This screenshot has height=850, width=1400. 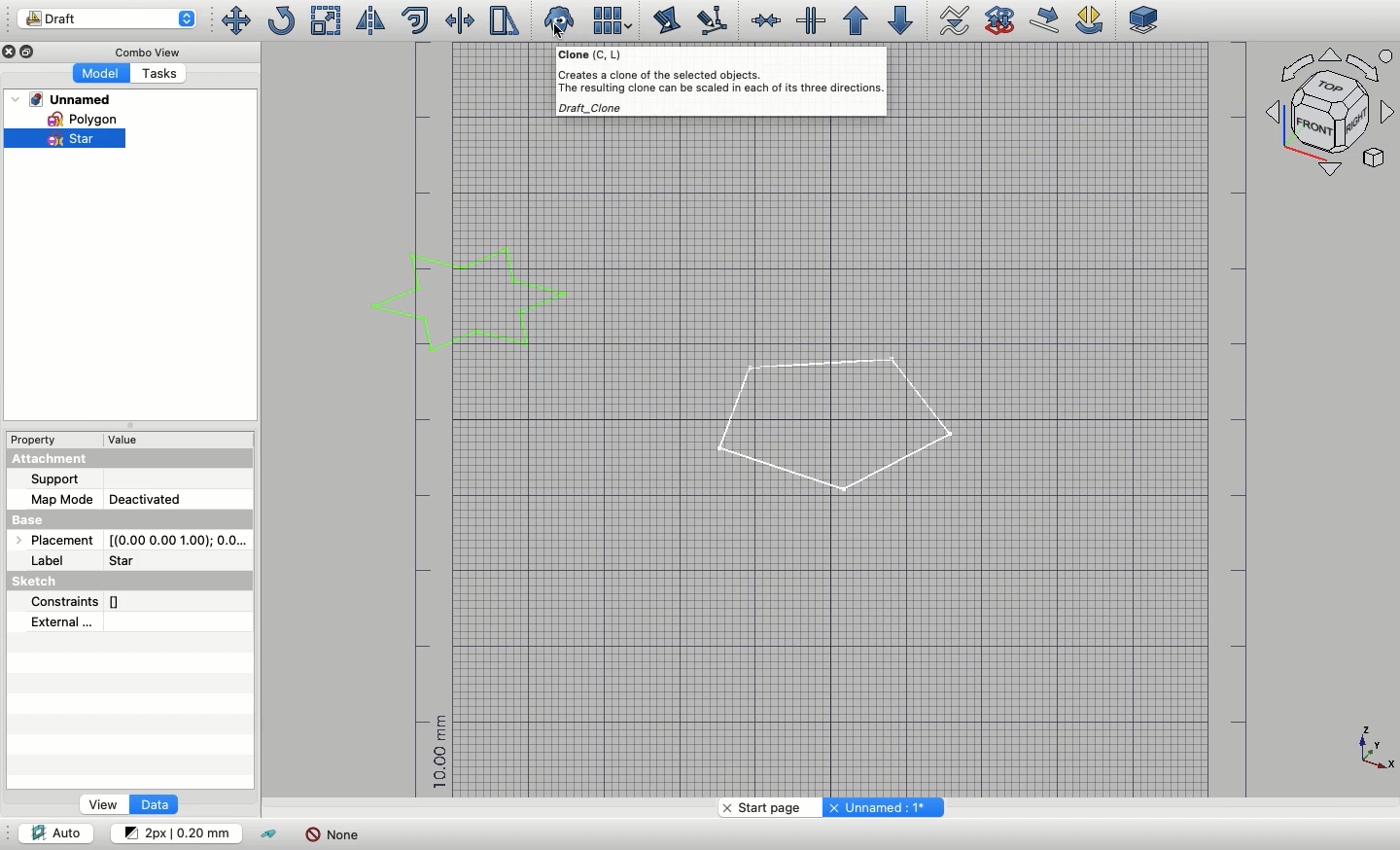 What do you see at coordinates (327, 20) in the screenshot?
I see `Scale` at bounding box center [327, 20].